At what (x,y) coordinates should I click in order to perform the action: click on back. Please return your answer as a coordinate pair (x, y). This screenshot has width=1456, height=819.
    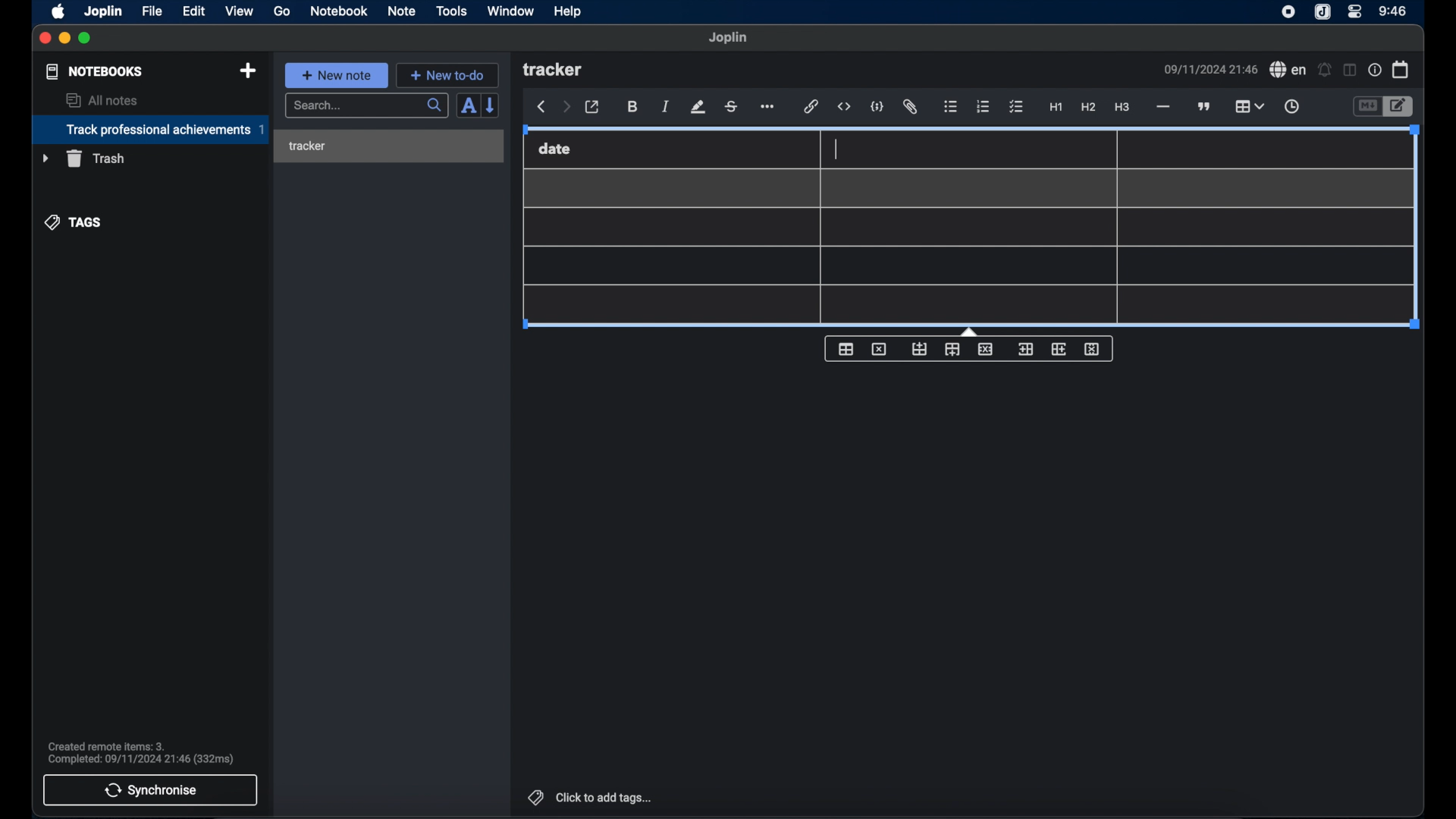
    Looking at the image, I should click on (541, 107).